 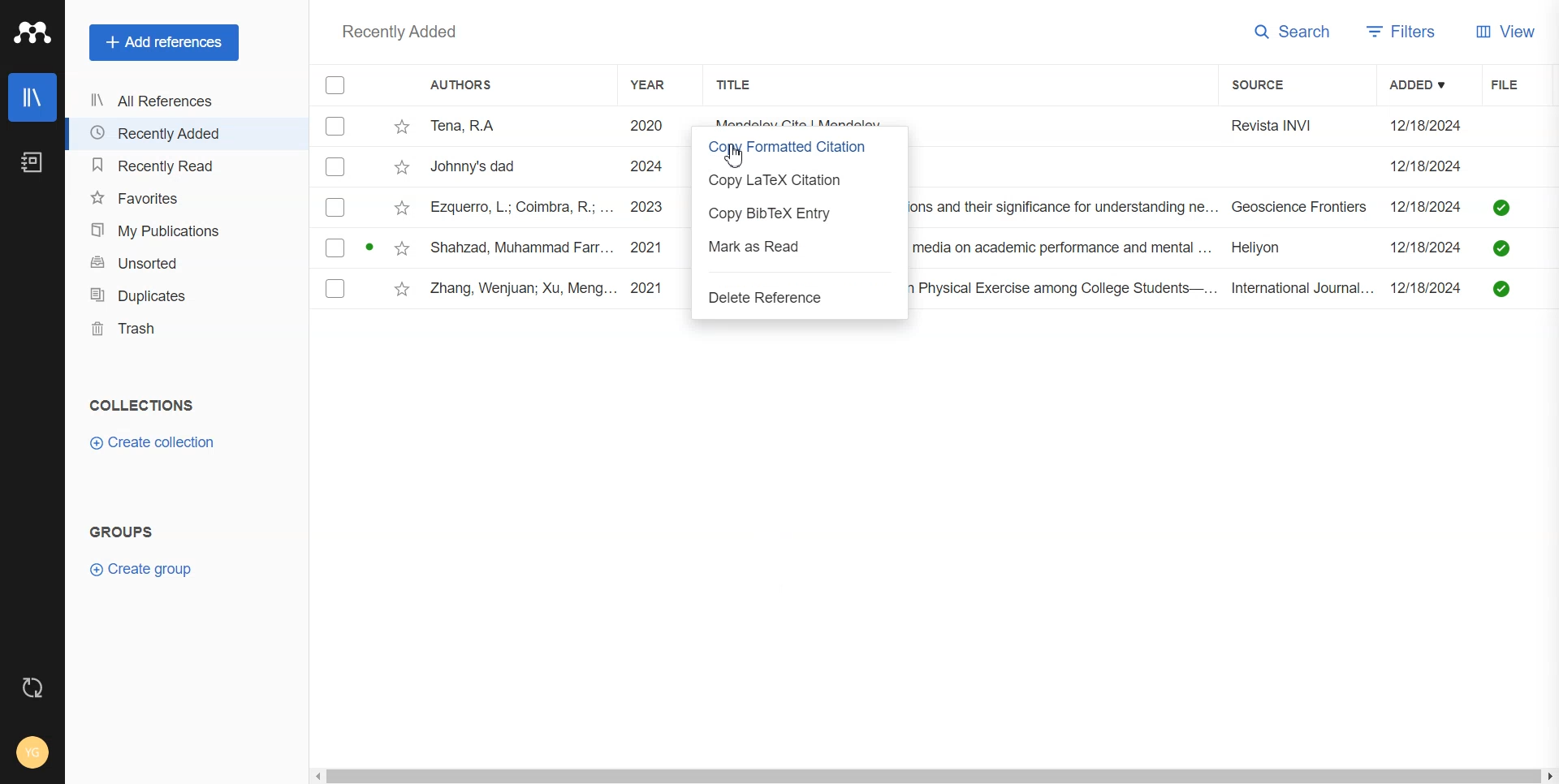 I want to click on Unsorted, so click(x=188, y=263).